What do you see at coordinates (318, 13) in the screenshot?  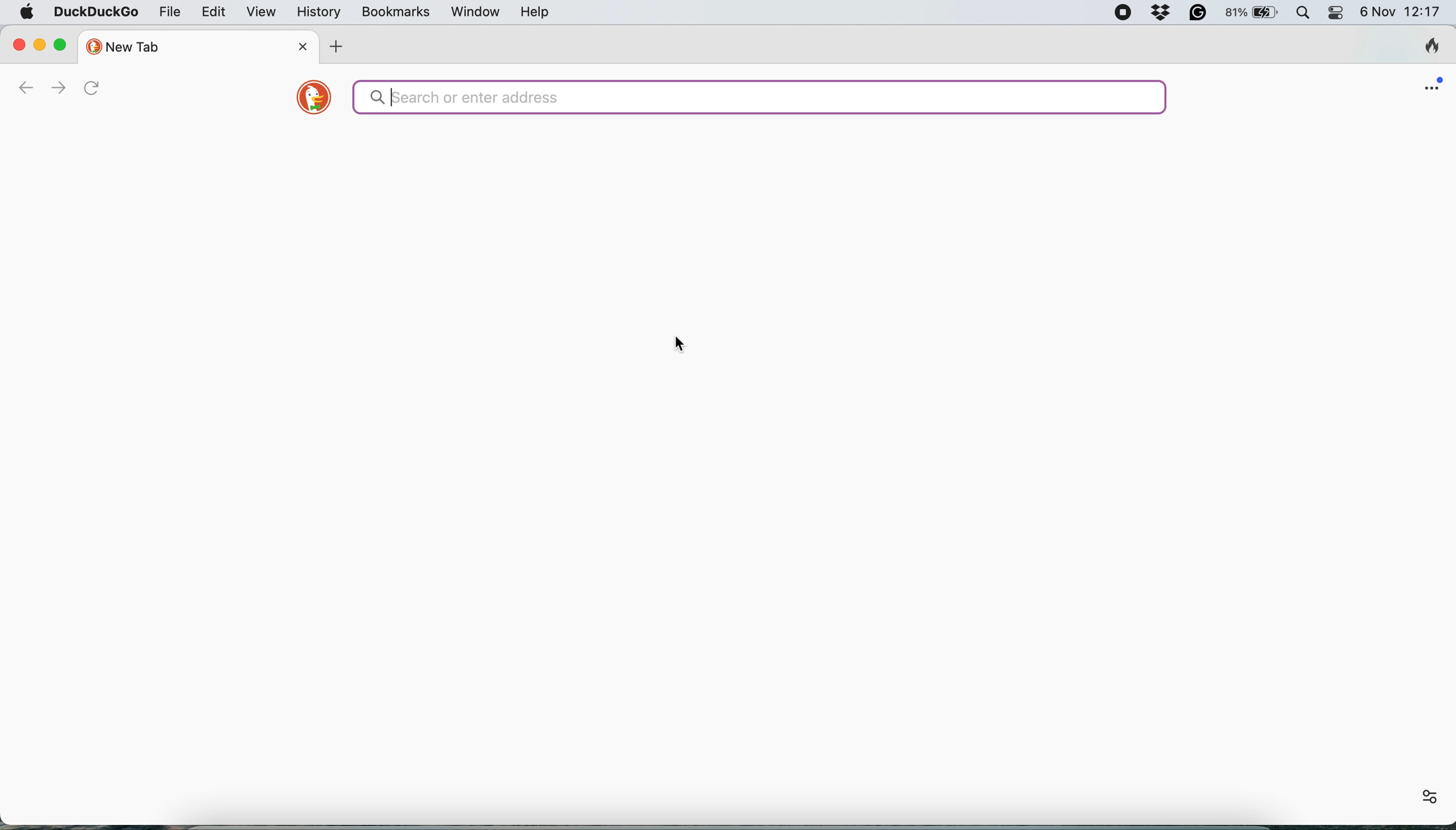 I see `history` at bounding box center [318, 13].